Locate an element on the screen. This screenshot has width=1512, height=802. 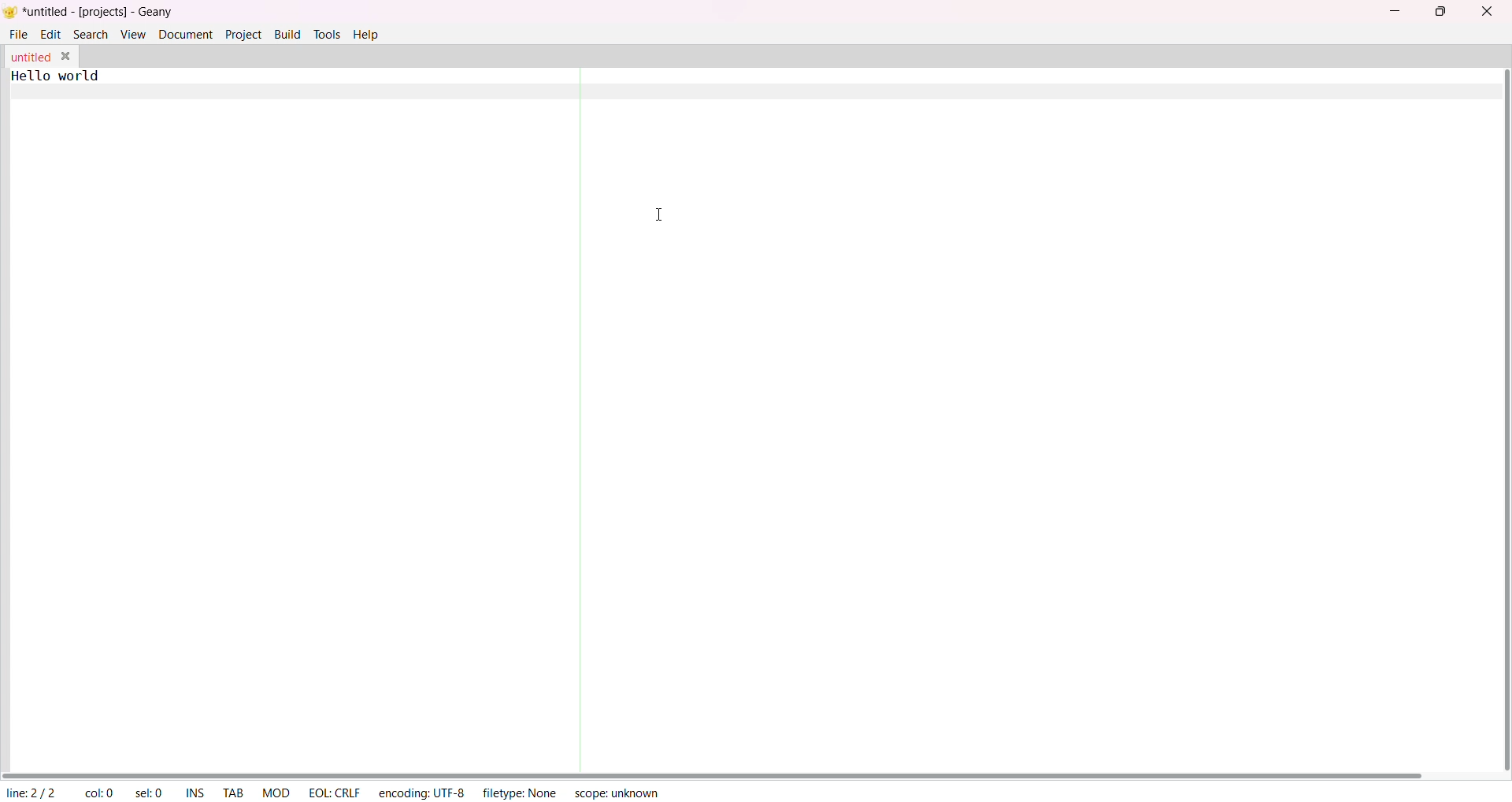
maximize is located at coordinates (1439, 10).